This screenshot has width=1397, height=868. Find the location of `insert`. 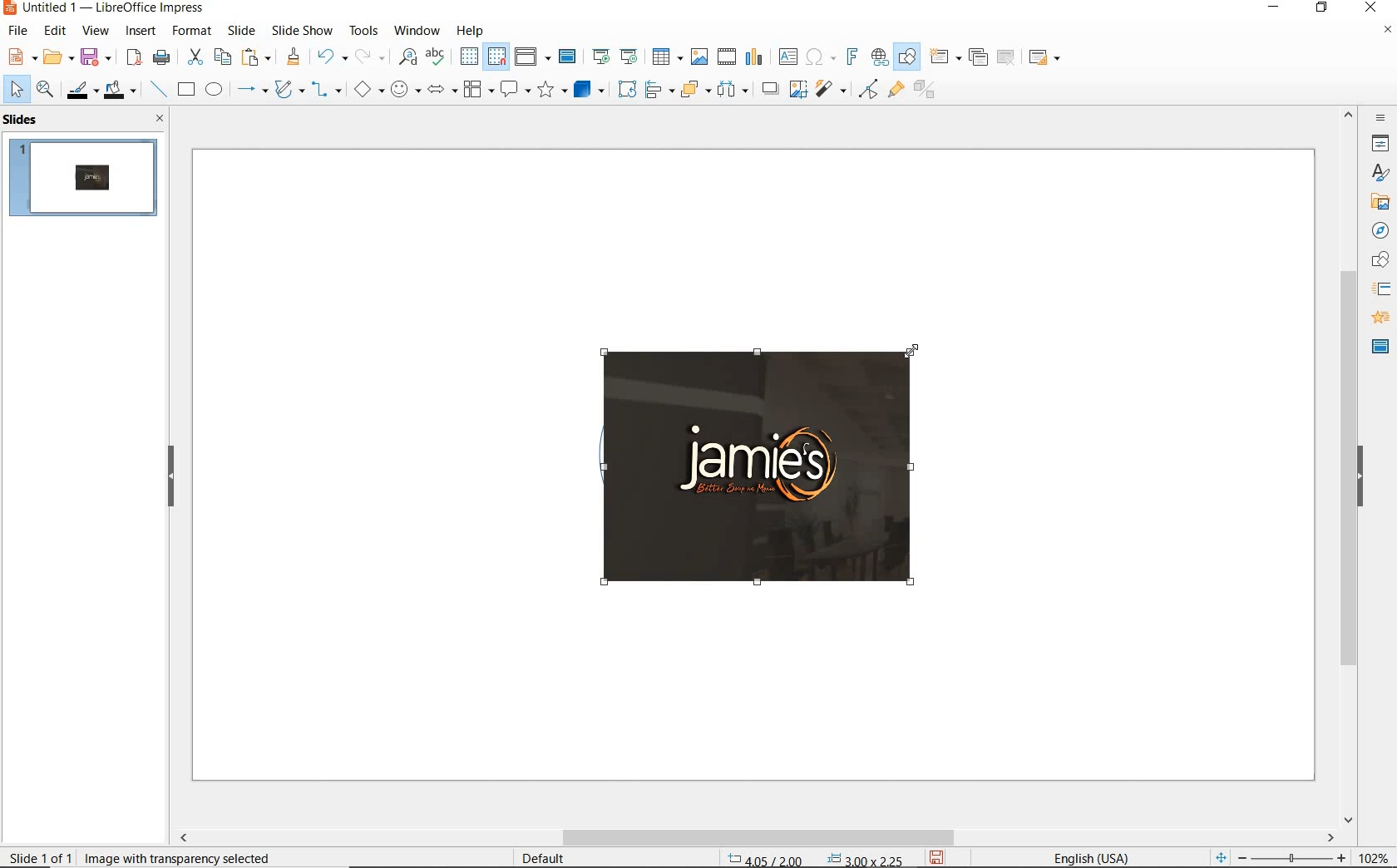

insert is located at coordinates (141, 32).